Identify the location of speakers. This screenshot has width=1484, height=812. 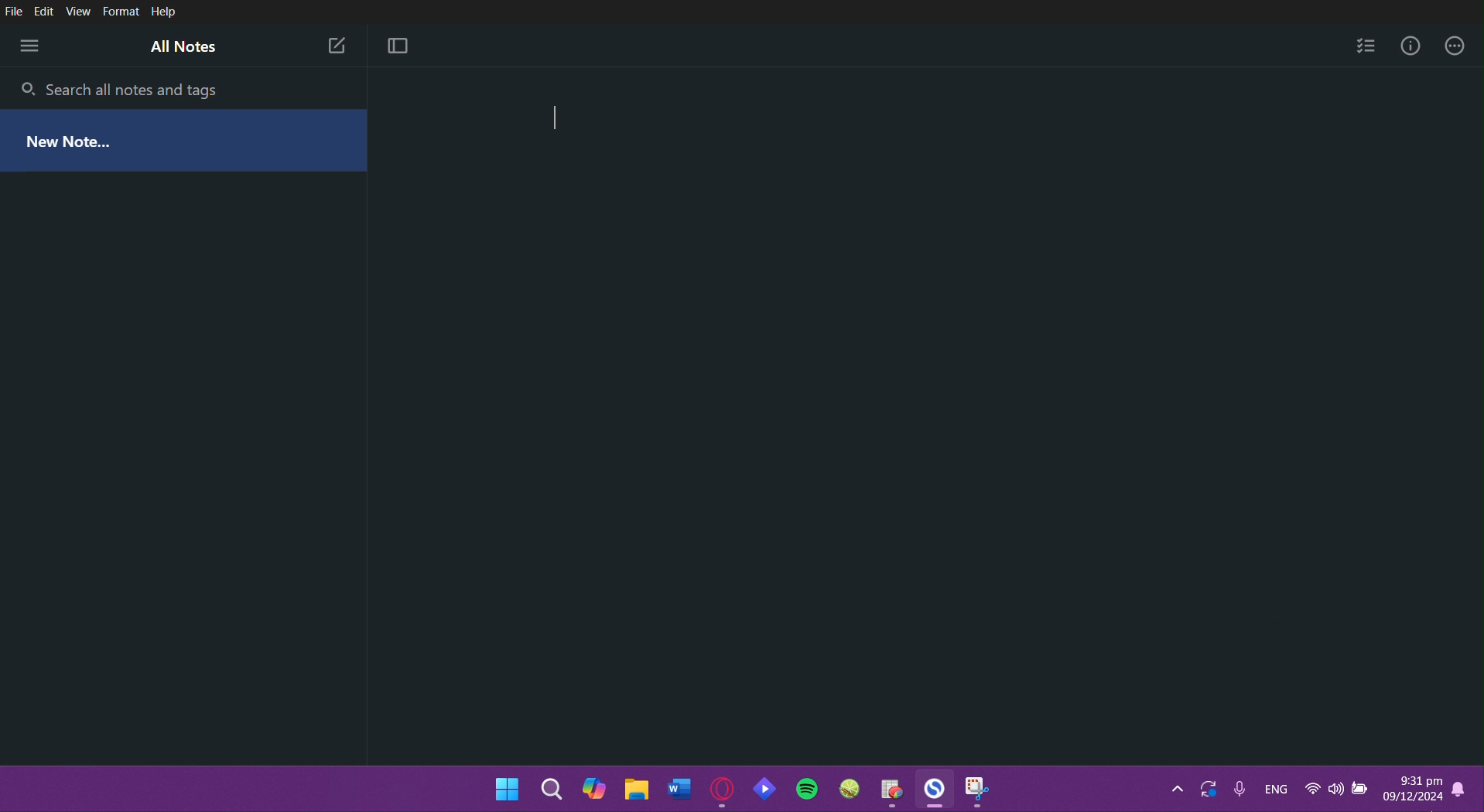
(1335, 790).